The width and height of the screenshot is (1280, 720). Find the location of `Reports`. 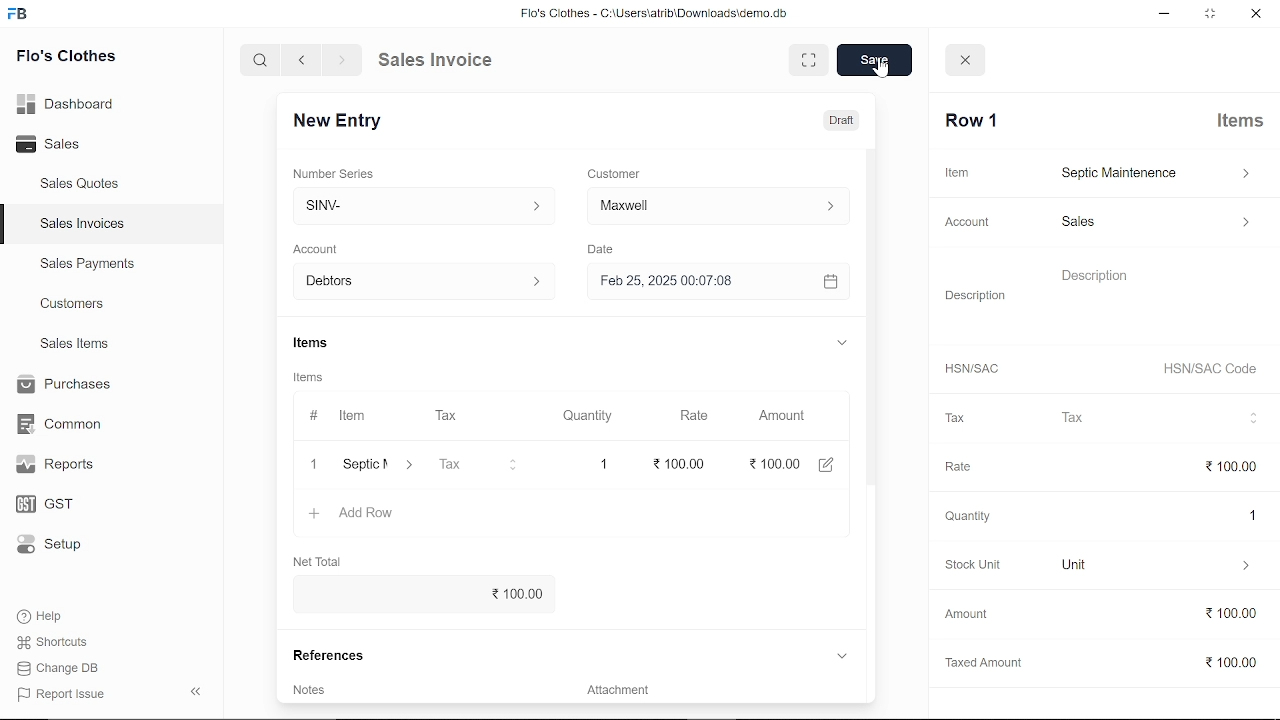

Reports is located at coordinates (60, 465).